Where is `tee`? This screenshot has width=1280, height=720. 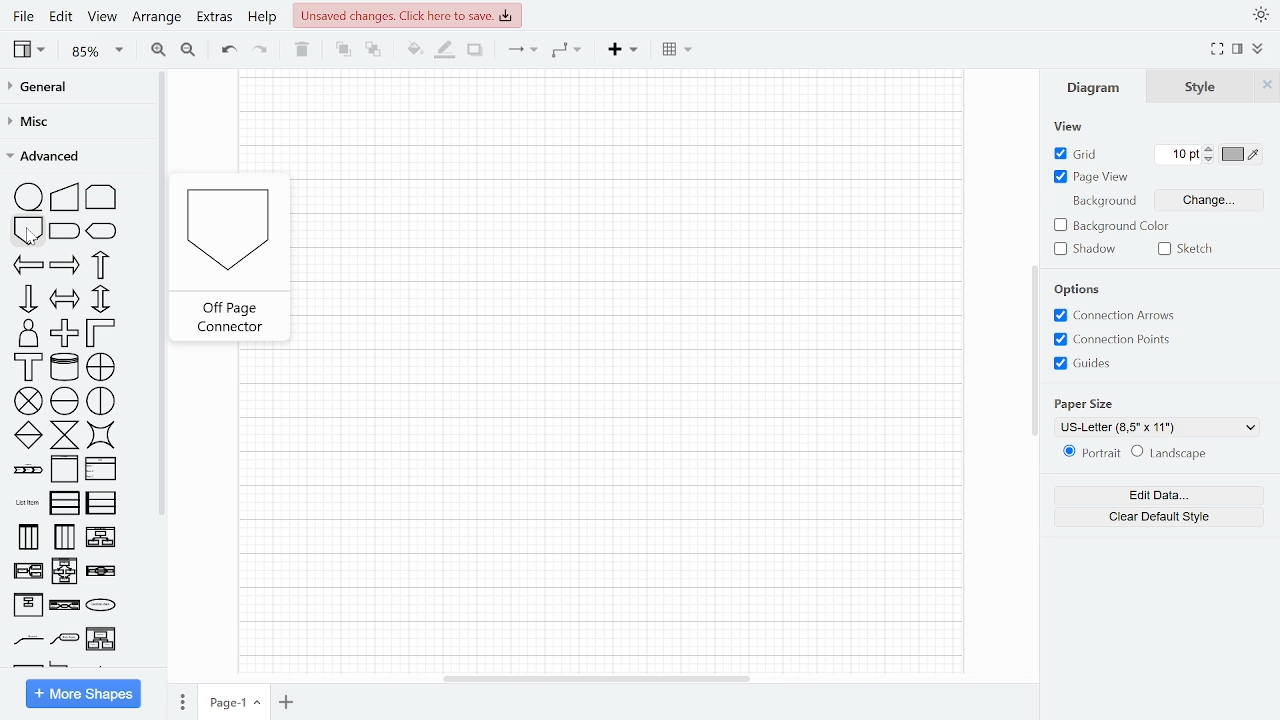 tee is located at coordinates (29, 367).